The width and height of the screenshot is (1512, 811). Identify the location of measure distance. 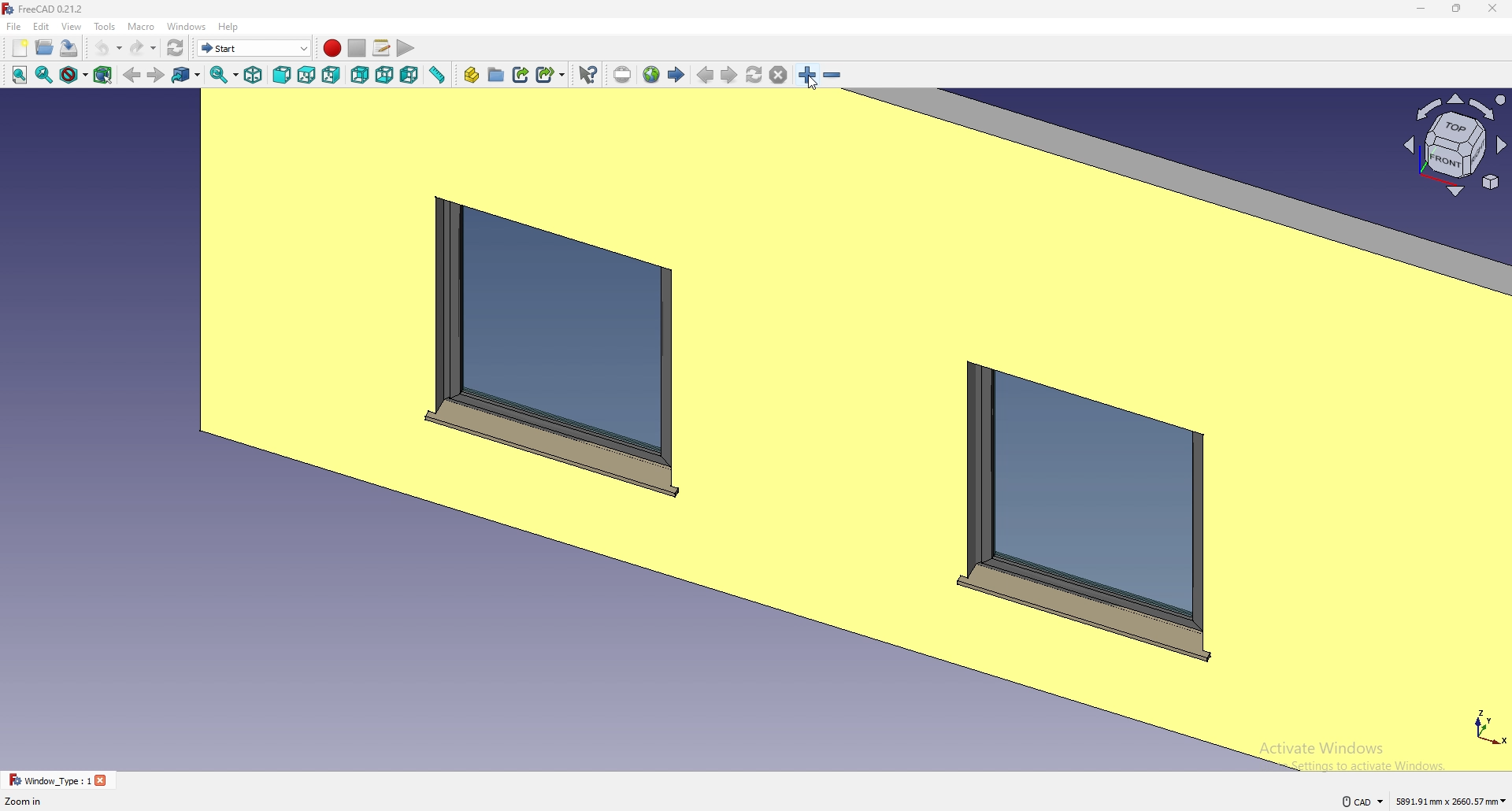
(436, 75).